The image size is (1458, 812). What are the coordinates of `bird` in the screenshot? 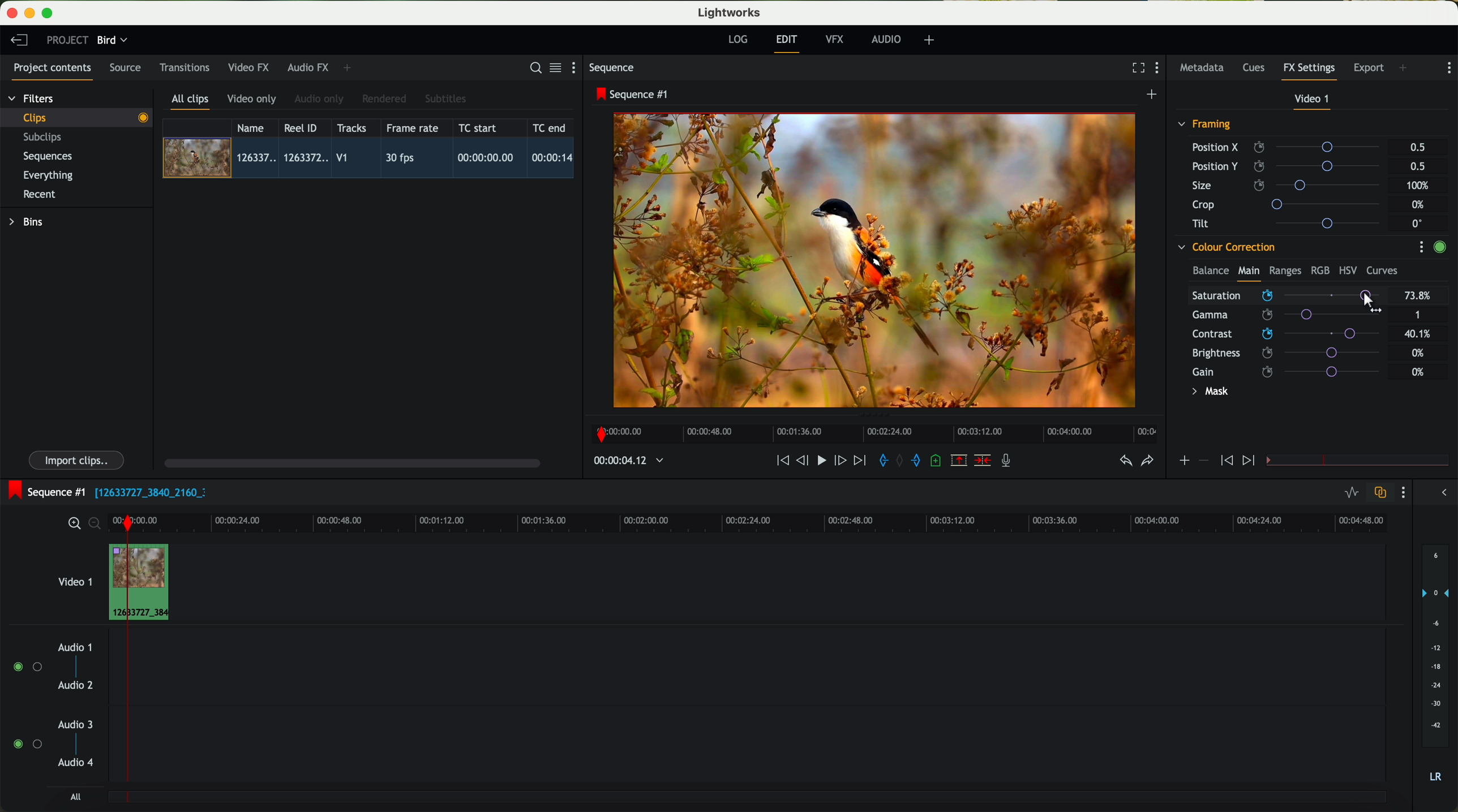 It's located at (112, 41).